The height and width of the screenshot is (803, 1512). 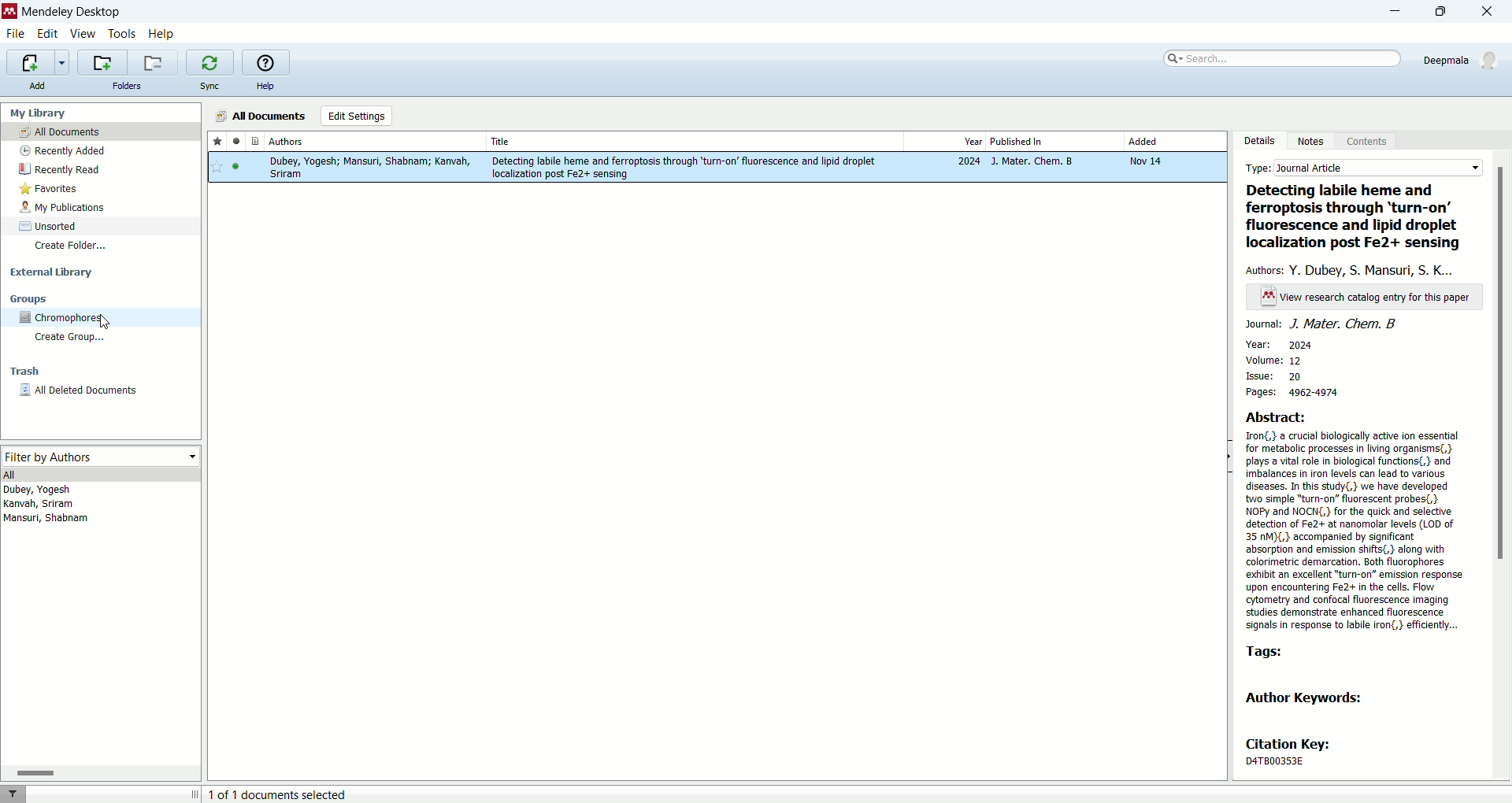 What do you see at coordinates (1322, 324) in the screenshot?
I see `journal: J. mater. Chem. B` at bounding box center [1322, 324].